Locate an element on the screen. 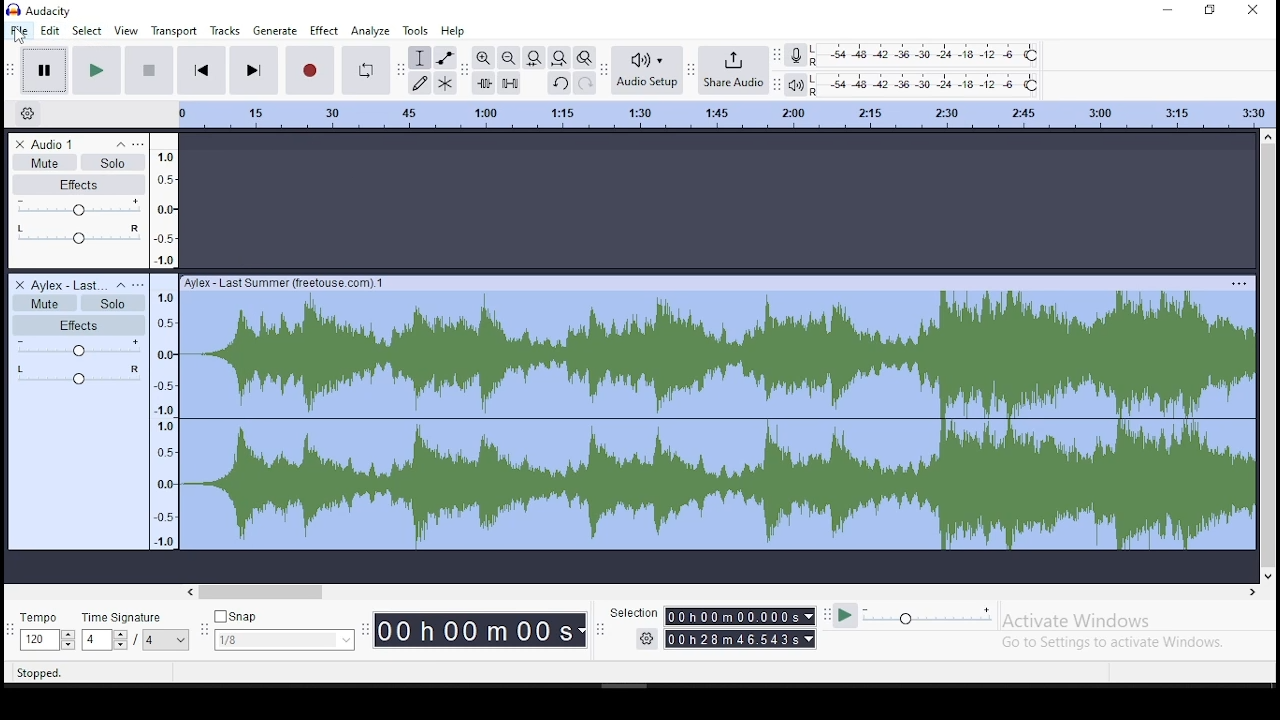 The width and height of the screenshot is (1280, 720). zoom in is located at coordinates (483, 58).